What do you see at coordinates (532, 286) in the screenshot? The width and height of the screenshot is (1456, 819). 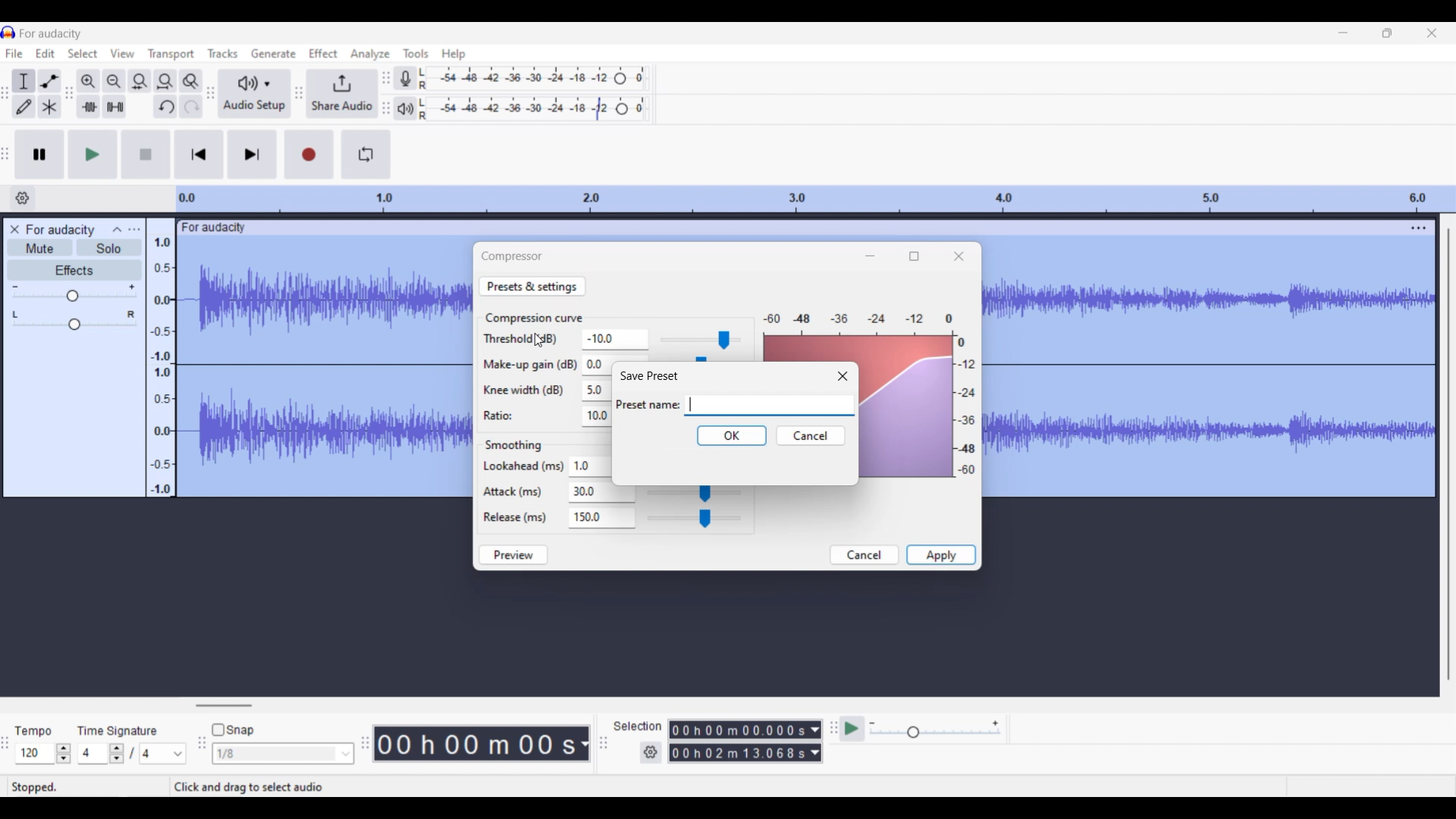 I see `Preset and settings` at bounding box center [532, 286].